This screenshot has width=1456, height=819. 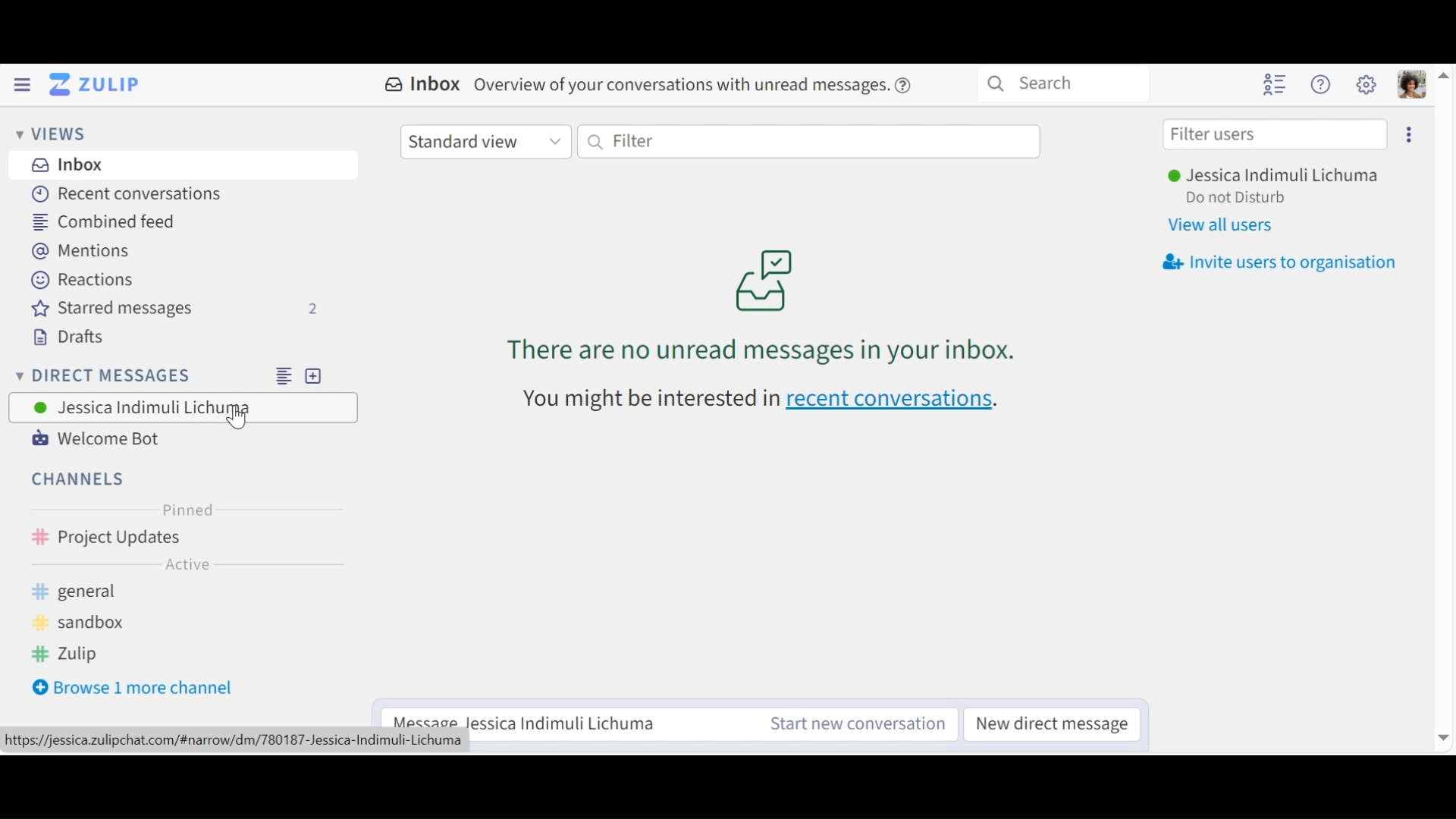 What do you see at coordinates (1050, 723) in the screenshot?
I see `New direct messages` at bounding box center [1050, 723].